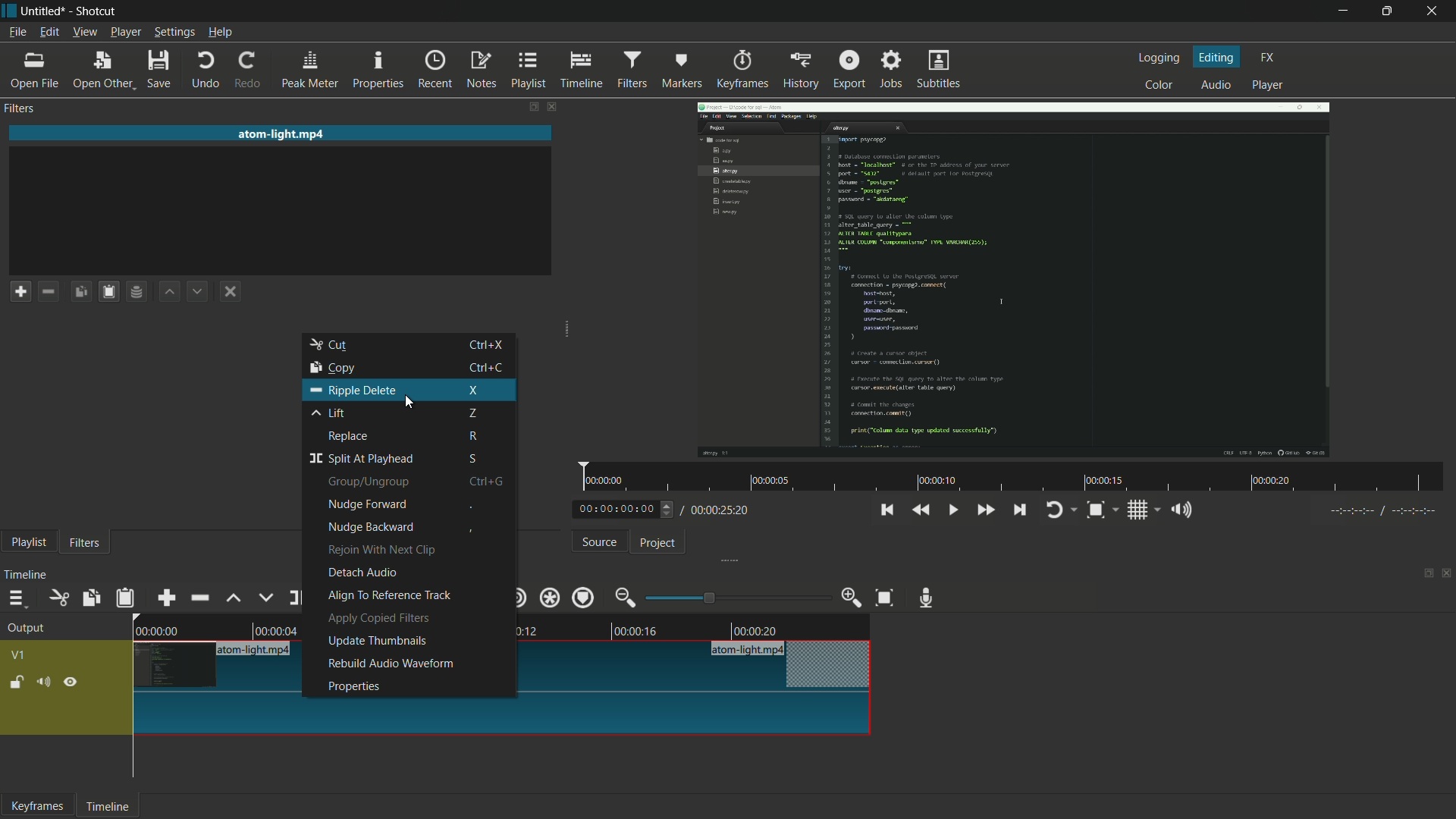 This screenshot has width=1456, height=819. What do you see at coordinates (852, 598) in the screenshot?
I see `zoom in` at bounding box center [852, 598].